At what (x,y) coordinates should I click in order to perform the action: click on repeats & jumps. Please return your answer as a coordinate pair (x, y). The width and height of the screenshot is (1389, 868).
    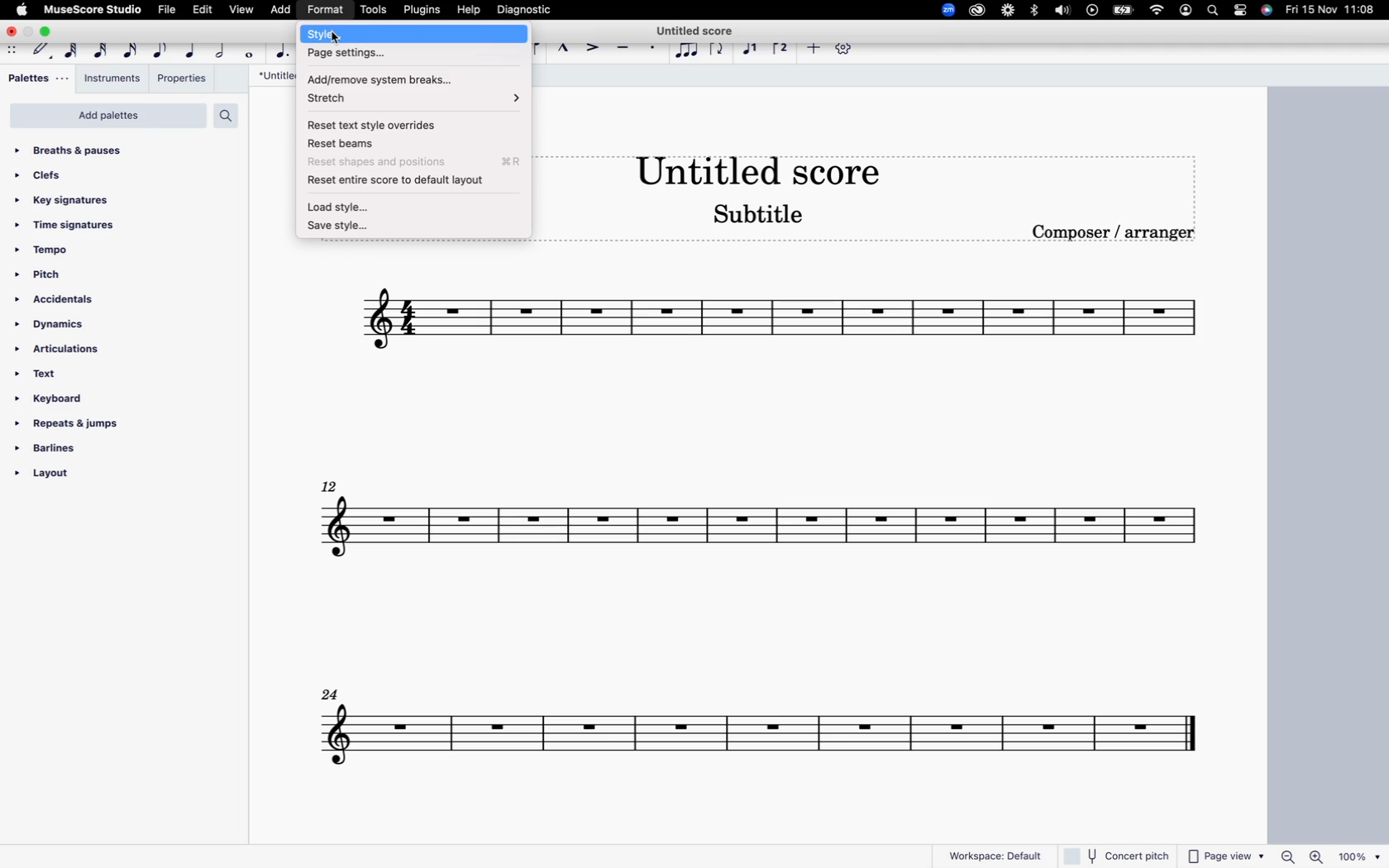
    Looking at the image, I should click on (74, 423).